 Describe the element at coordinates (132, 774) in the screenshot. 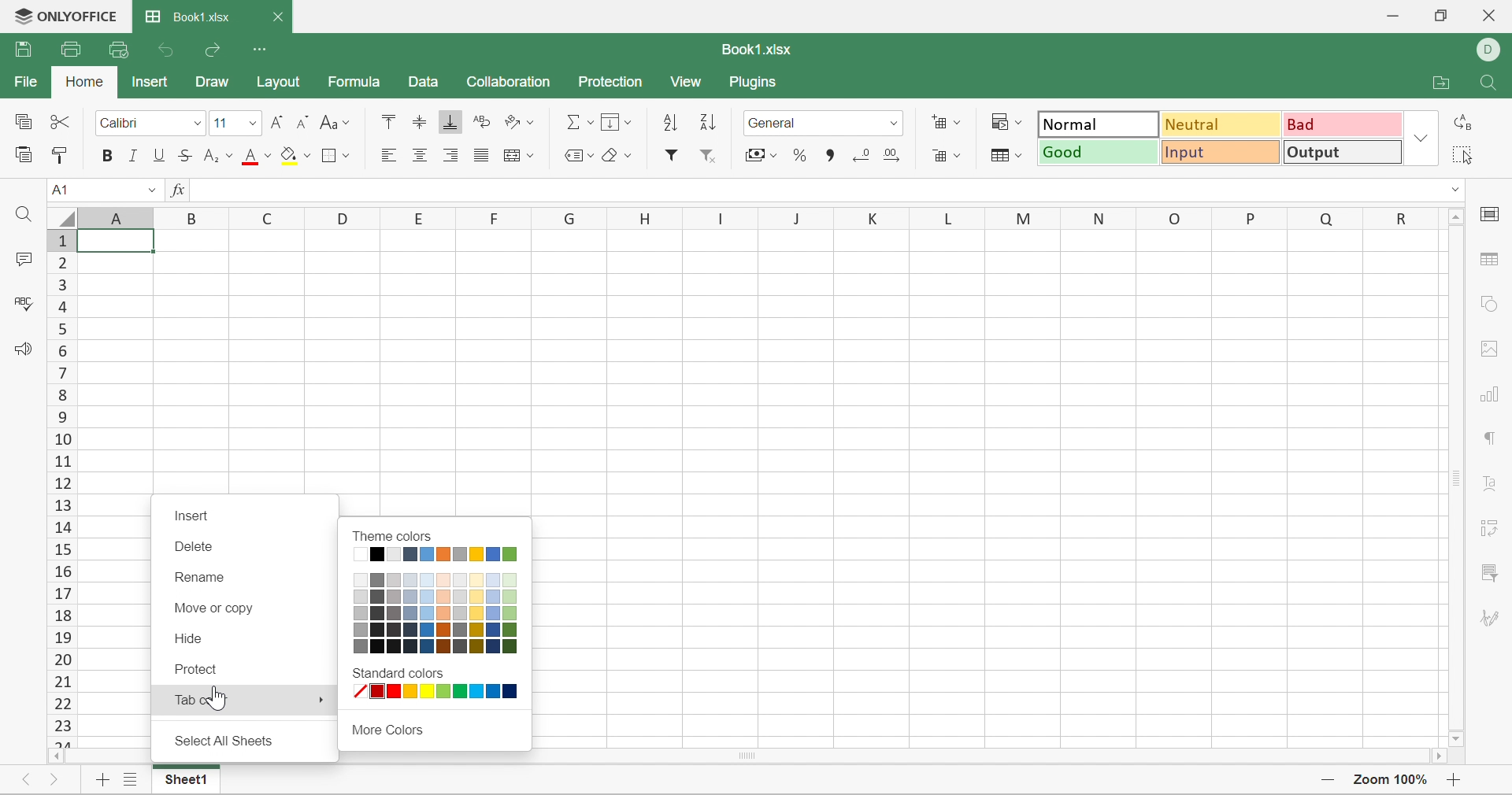

I see `More sheets` at that location.